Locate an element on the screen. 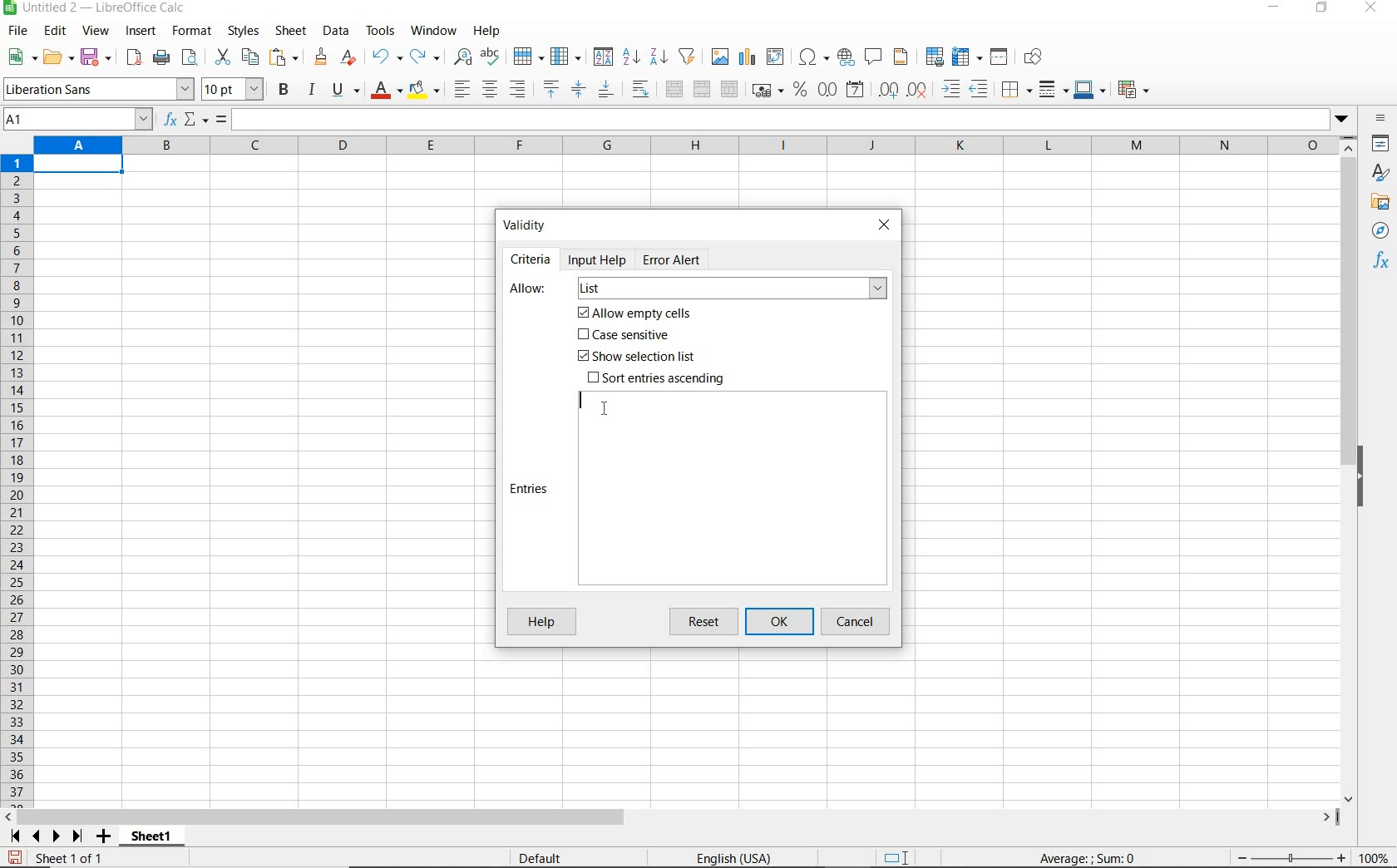 This screenshot has width=1397, height=868. align right is located at coordinates (519, 89).